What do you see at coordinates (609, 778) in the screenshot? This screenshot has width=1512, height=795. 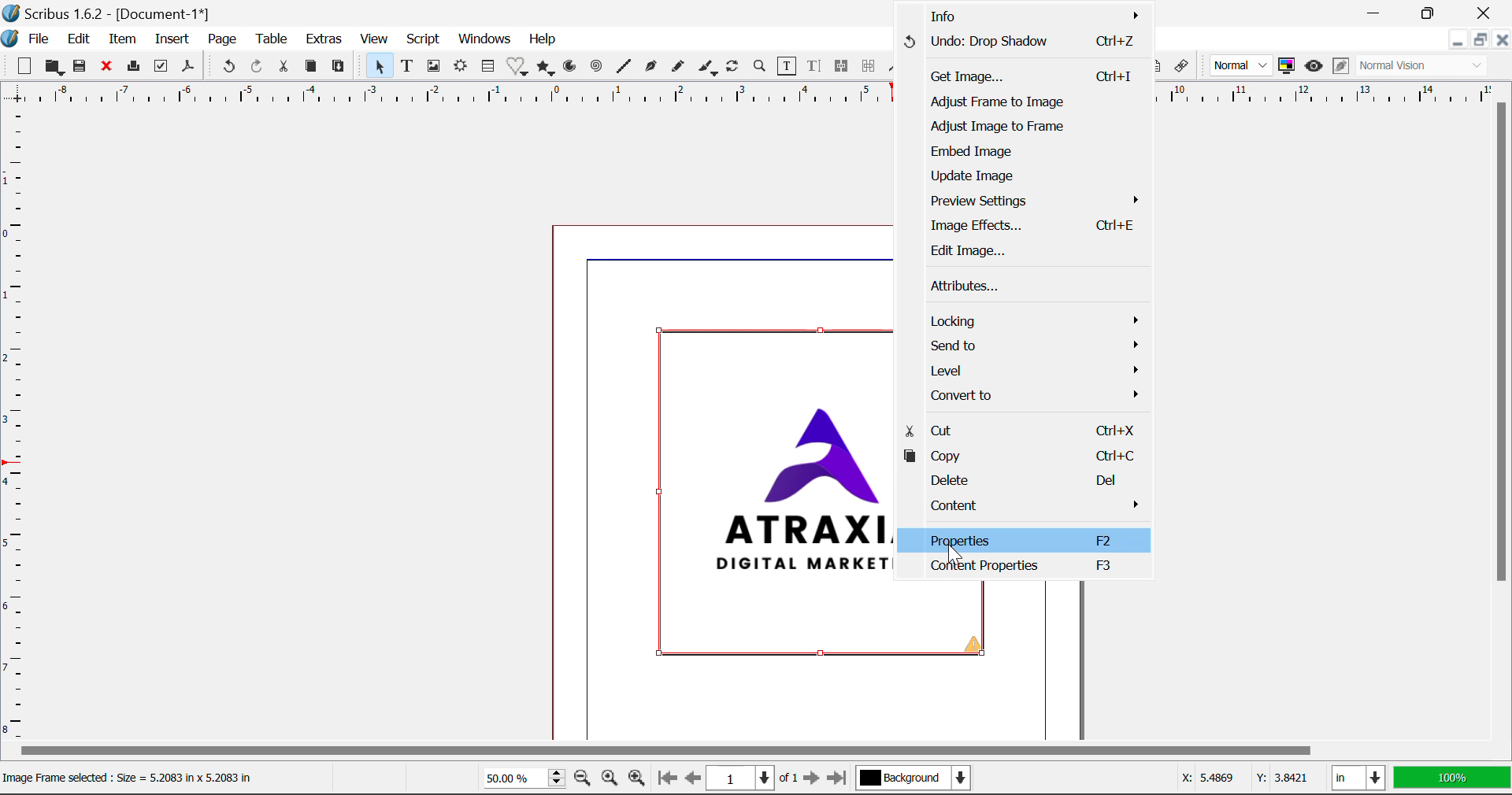 I see `Zoom settings` at bounding box center [609, 778].